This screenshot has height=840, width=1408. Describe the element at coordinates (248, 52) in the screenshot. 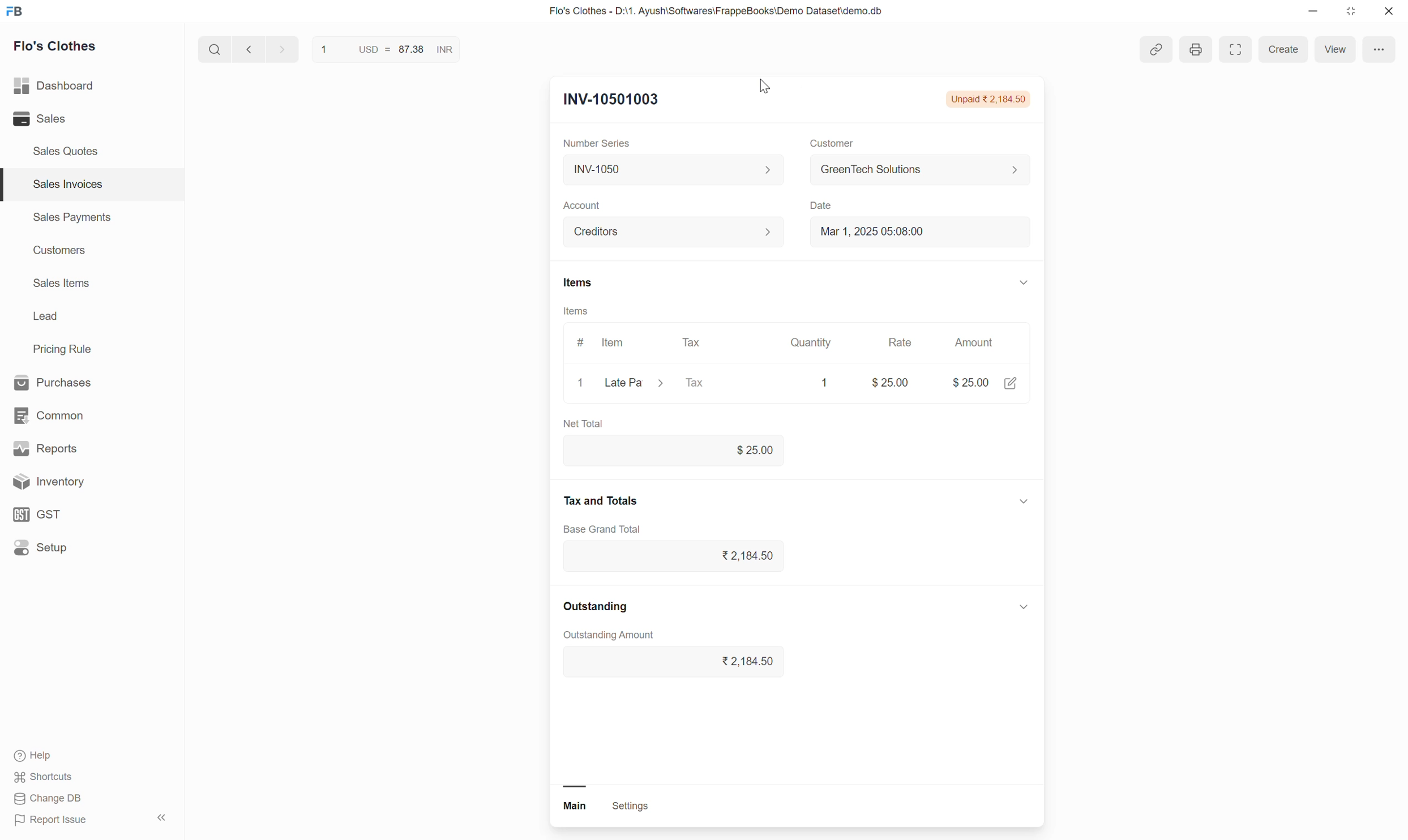

I see `go back ` at that location.